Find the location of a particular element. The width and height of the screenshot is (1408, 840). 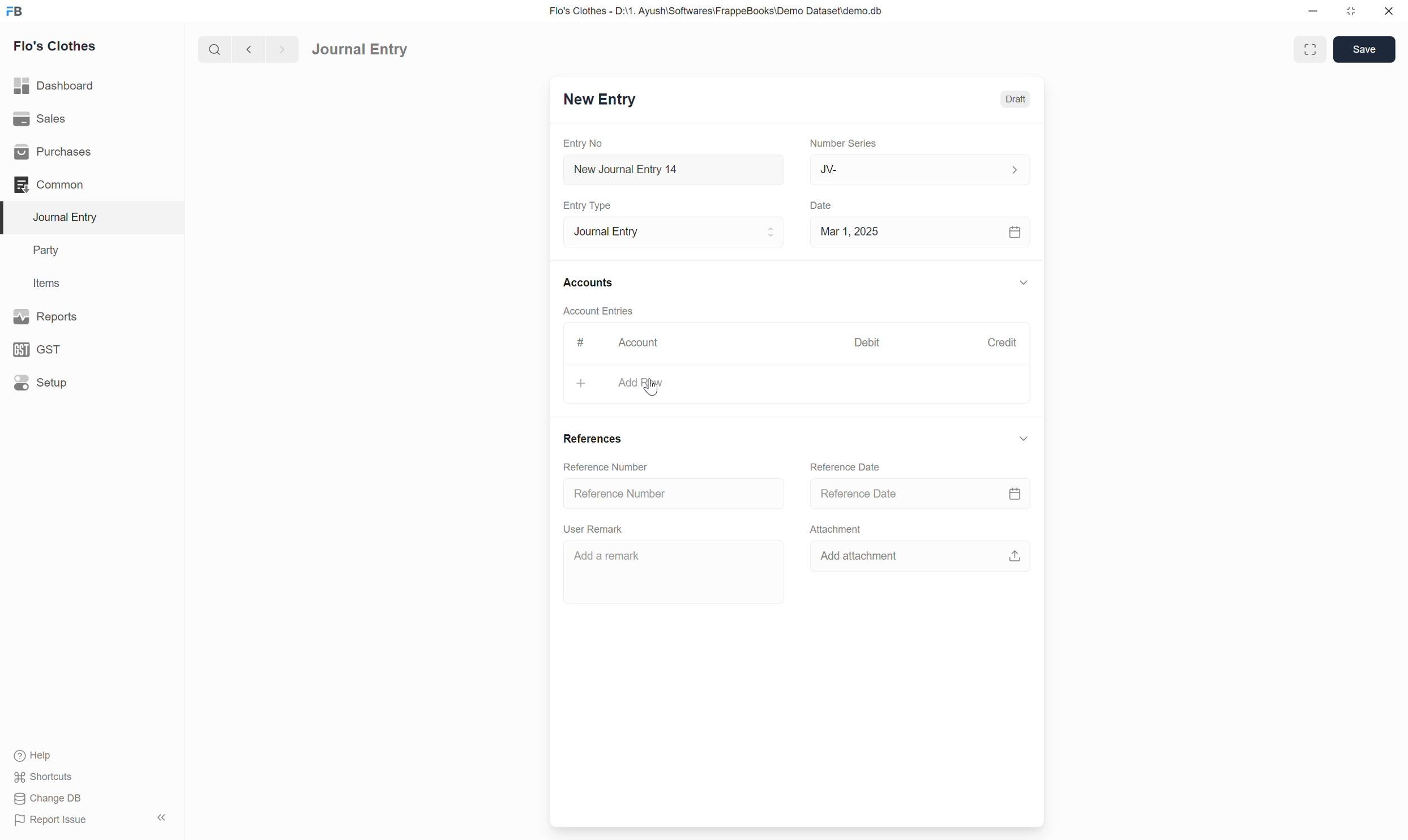

JV- is located at coordinates (921, 169).